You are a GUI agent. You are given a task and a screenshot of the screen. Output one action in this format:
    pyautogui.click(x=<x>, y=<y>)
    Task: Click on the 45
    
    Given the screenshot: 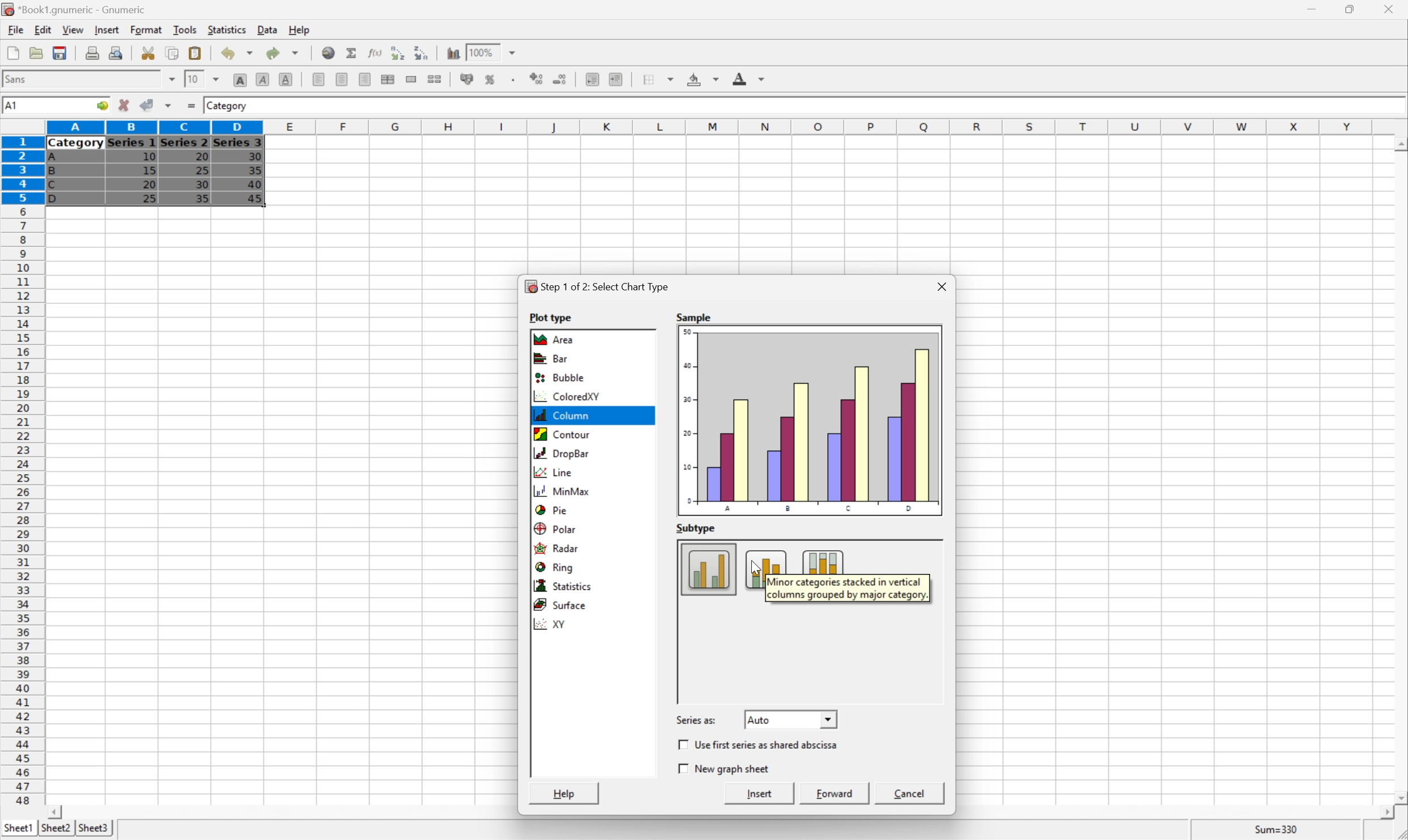 What is the action you would take?
    pyautogui.click(x=263, y=199)
    